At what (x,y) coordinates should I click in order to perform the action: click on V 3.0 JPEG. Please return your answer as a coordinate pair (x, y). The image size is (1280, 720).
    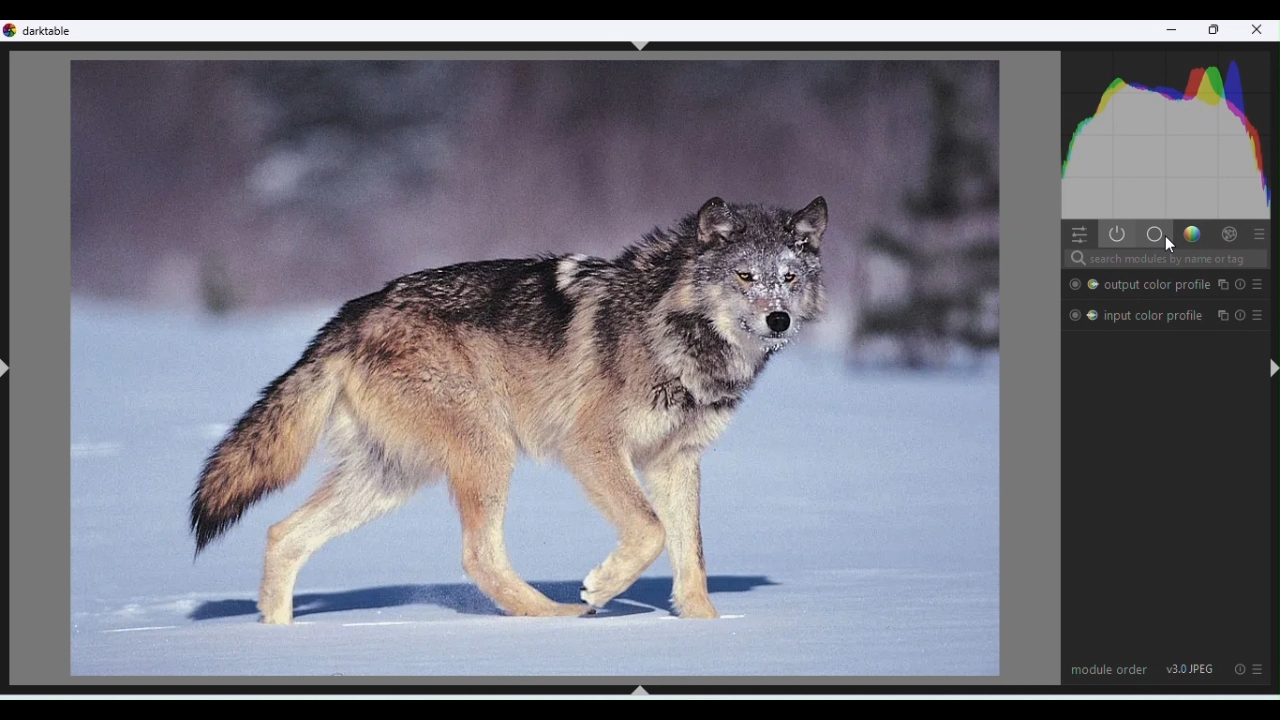
    Looking at the image, I should click on (1191, 668).